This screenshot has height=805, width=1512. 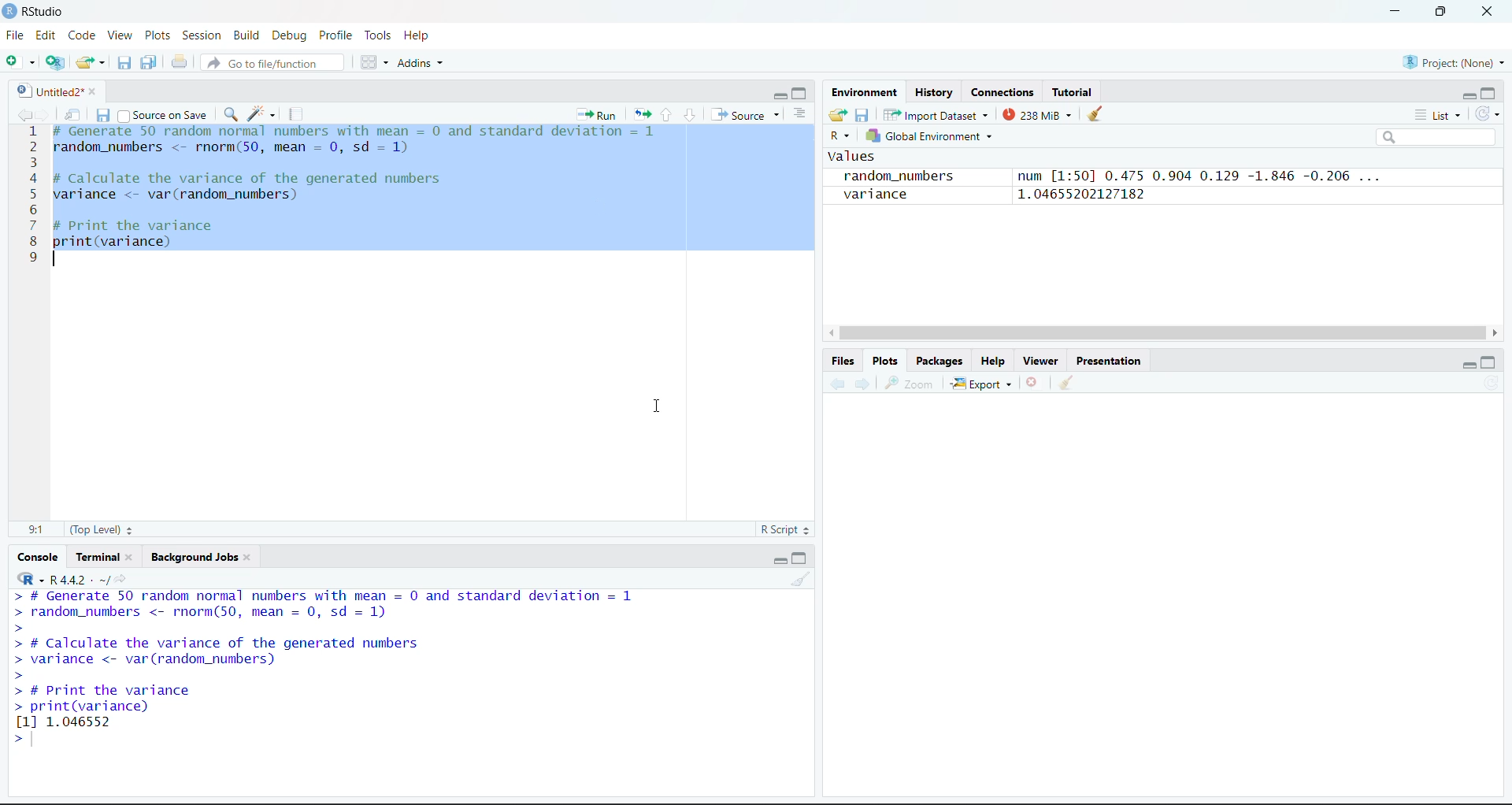 I want to click on minimize, so click(x=778, y=95).